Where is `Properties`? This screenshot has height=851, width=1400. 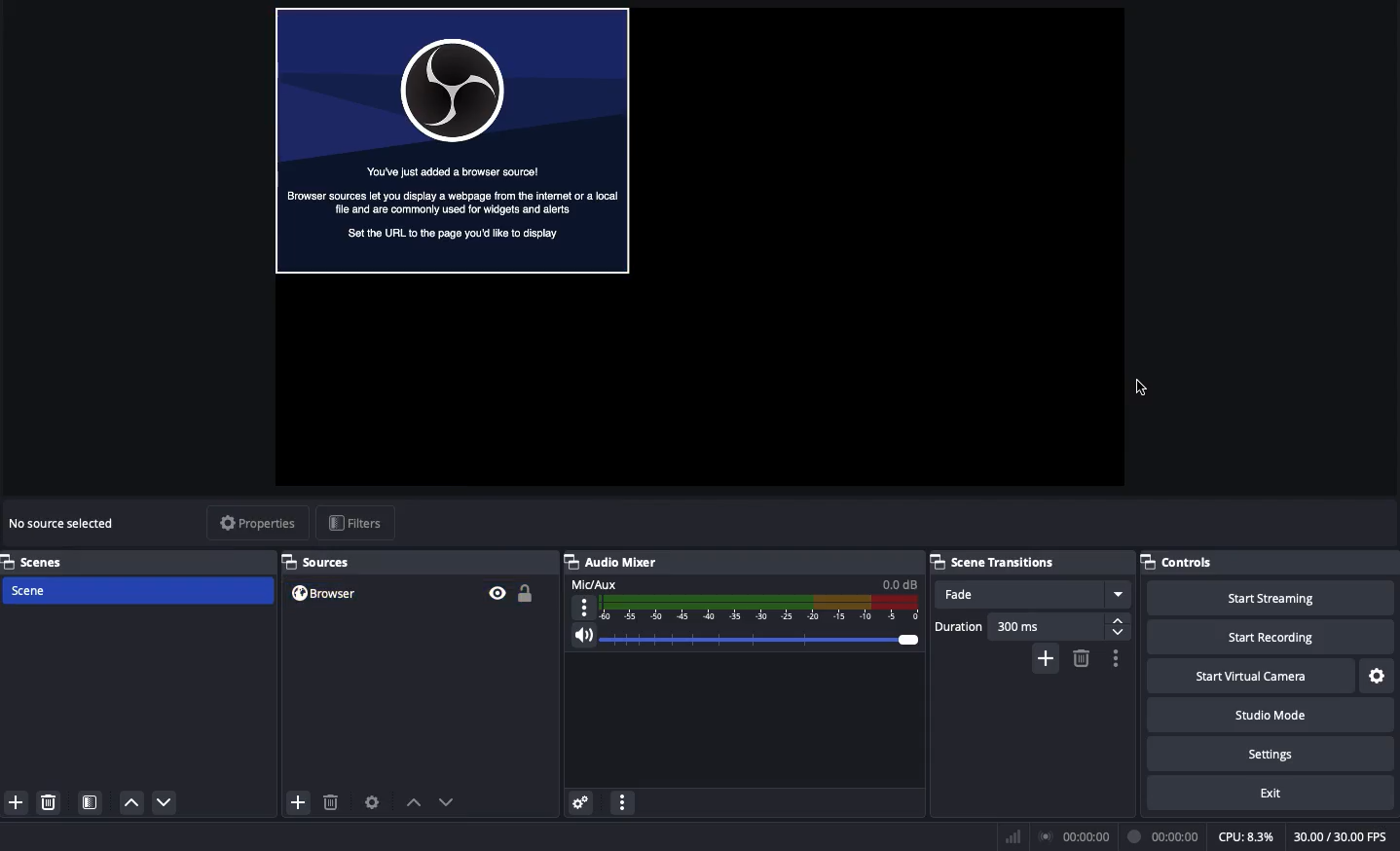 Properties is located at coordinates (258, 524).